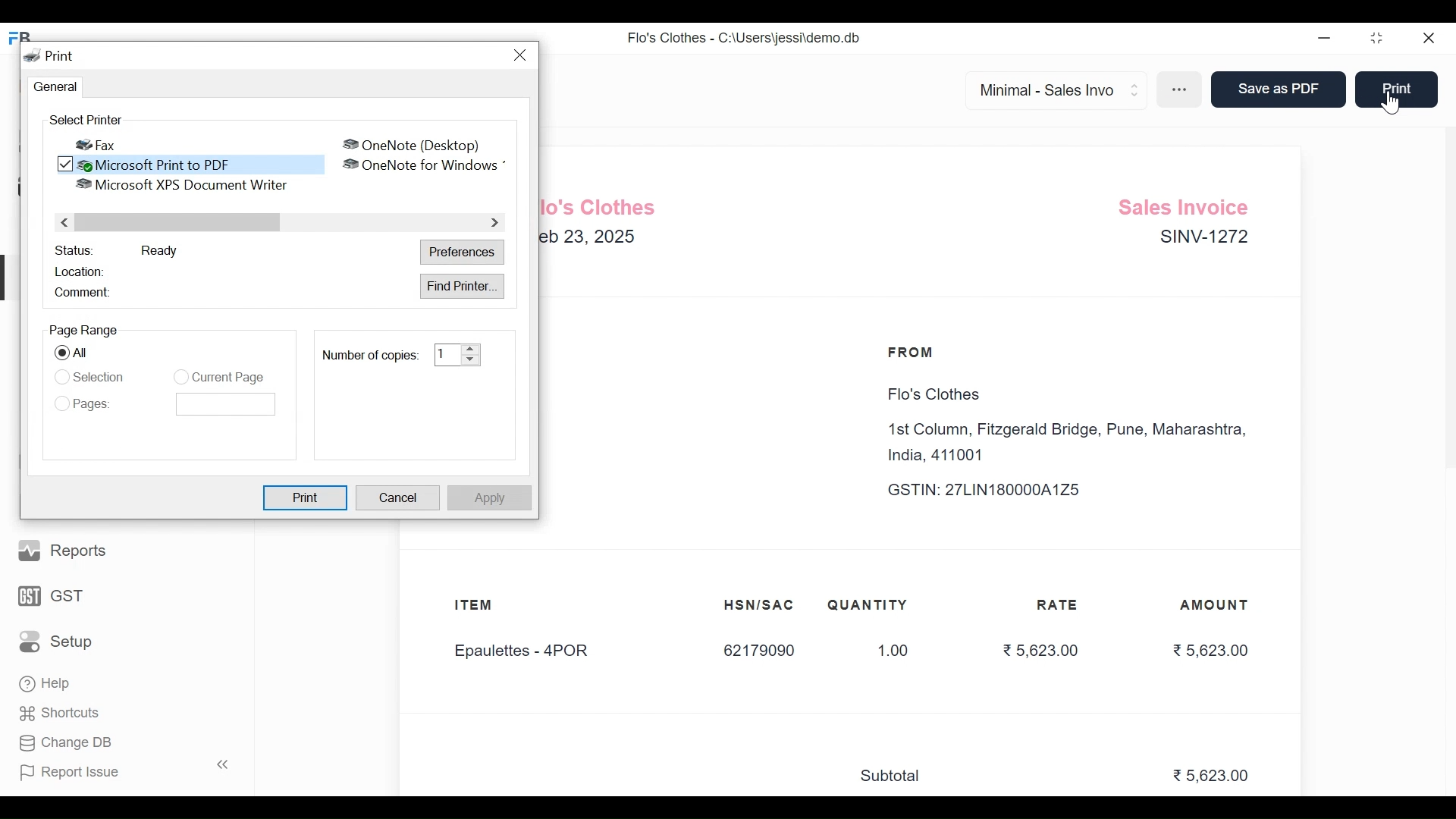  Describe the element at coordinates (760, 605) in the screenshot. I see `HSN/SAC` at that location.